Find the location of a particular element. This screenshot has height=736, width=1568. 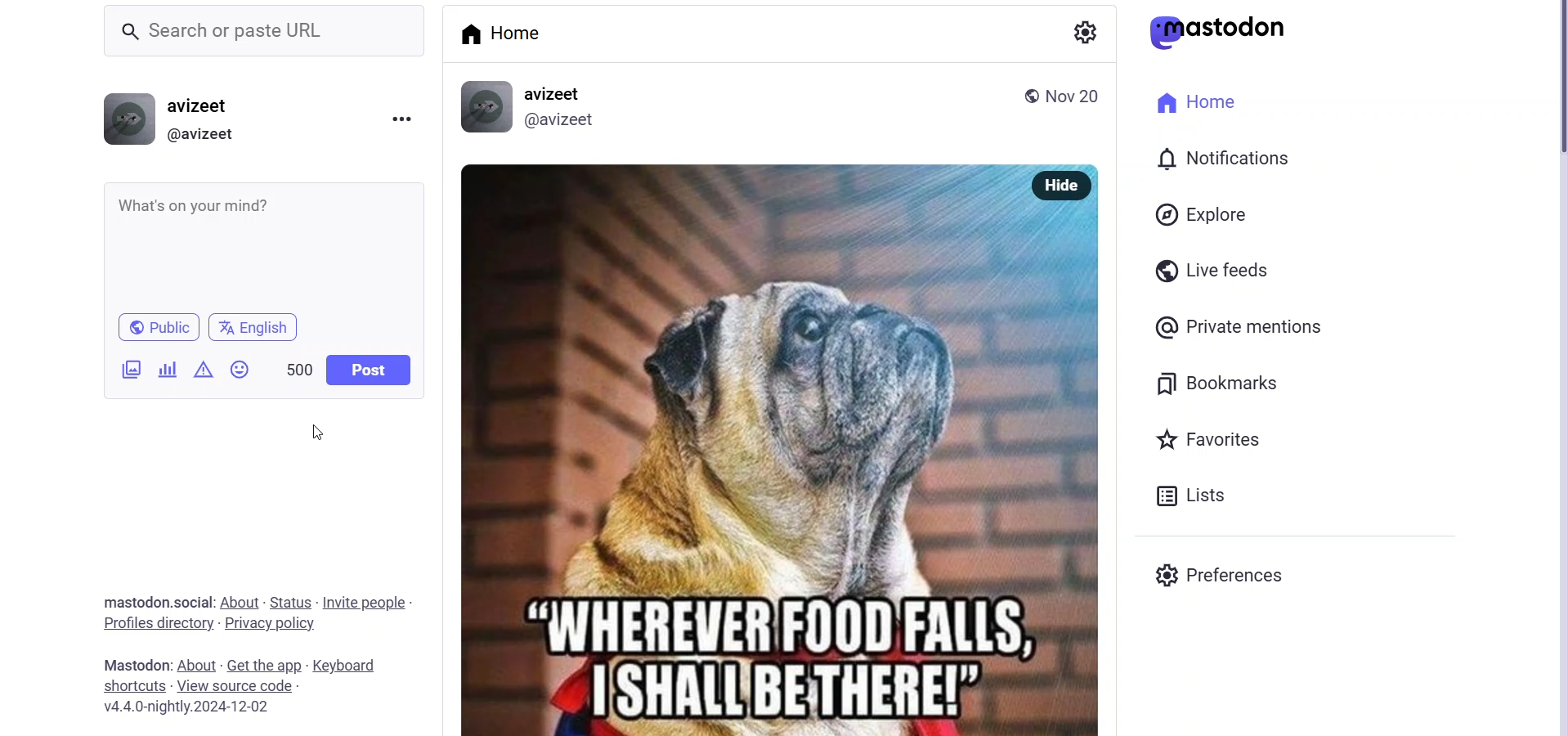

menu is located at coordinates (404, 119).